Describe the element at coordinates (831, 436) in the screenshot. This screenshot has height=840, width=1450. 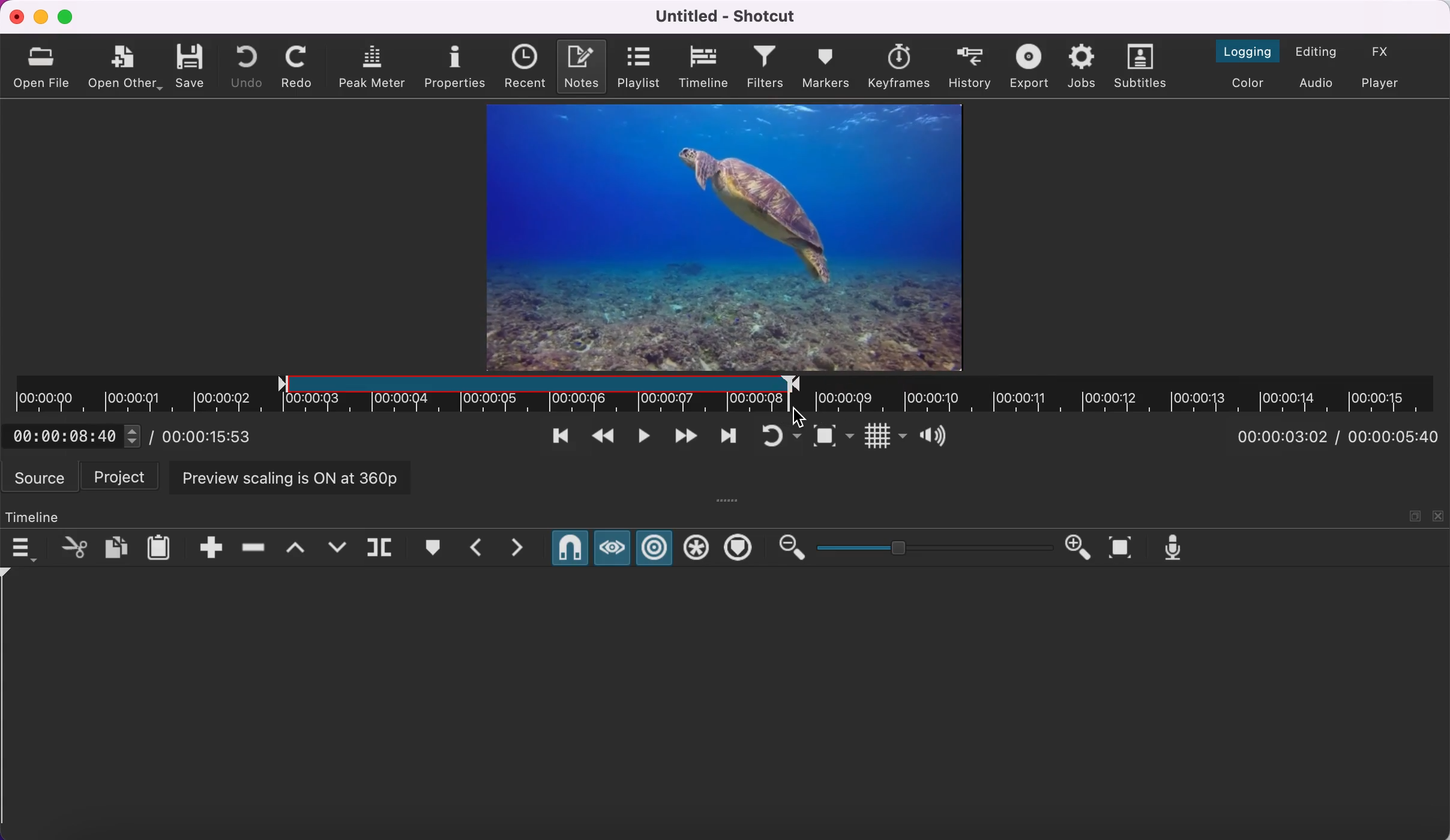
I see `` at that location.